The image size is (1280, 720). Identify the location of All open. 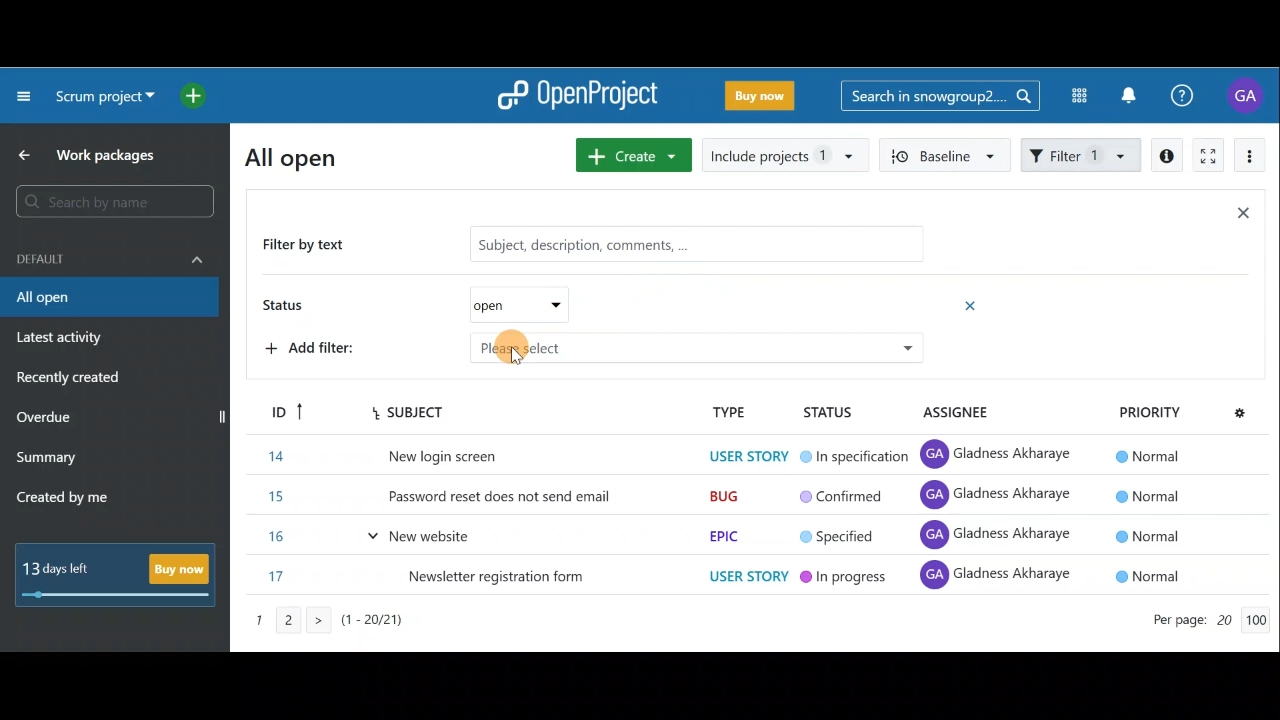
(303, 156).